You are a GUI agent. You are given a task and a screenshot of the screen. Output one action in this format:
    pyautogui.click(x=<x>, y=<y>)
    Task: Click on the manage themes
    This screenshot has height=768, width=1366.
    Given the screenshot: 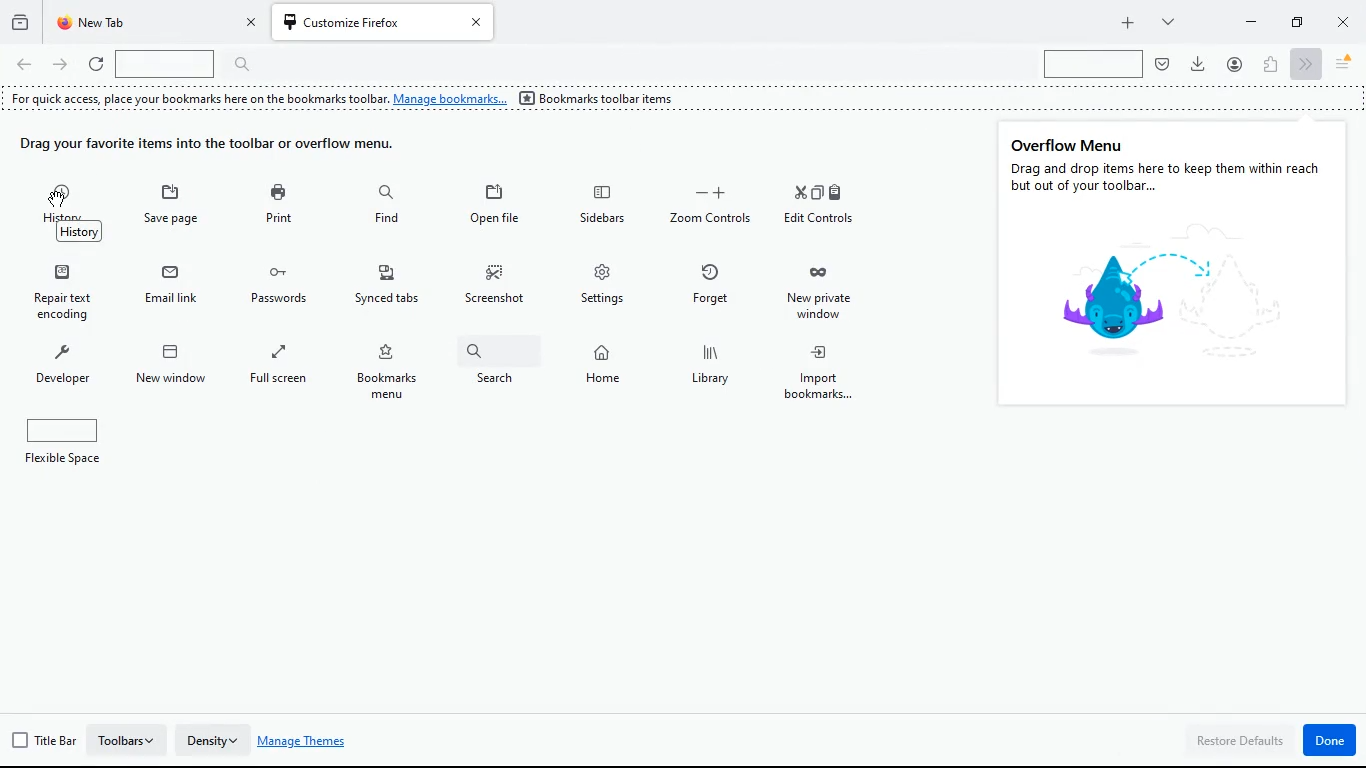 What is the action you would take?
    pyautogui.click(x=309, y=742)
    